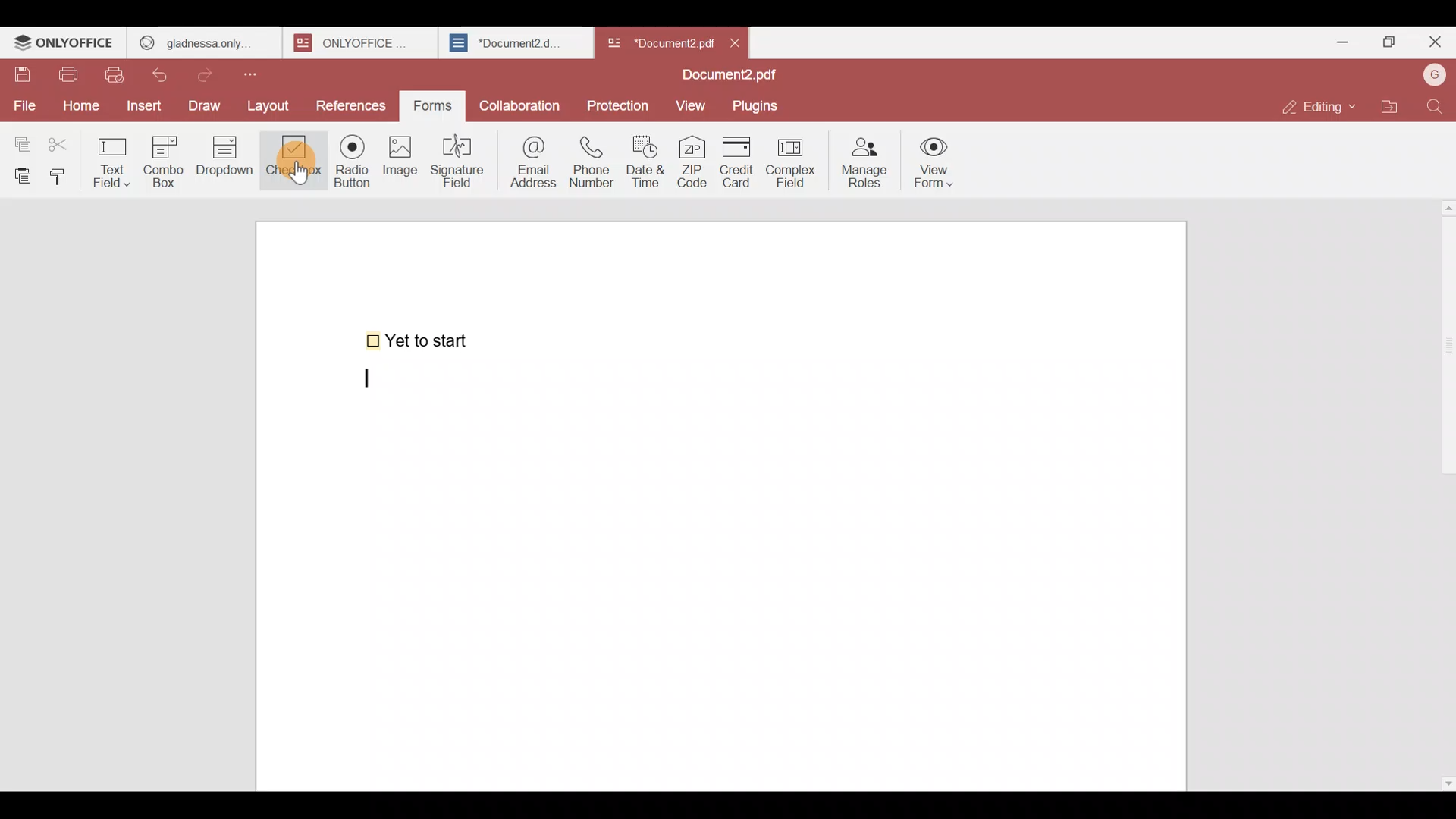  Describe the element at coordinates (167, 72) in the screenshot. I see `Undo` at that location.